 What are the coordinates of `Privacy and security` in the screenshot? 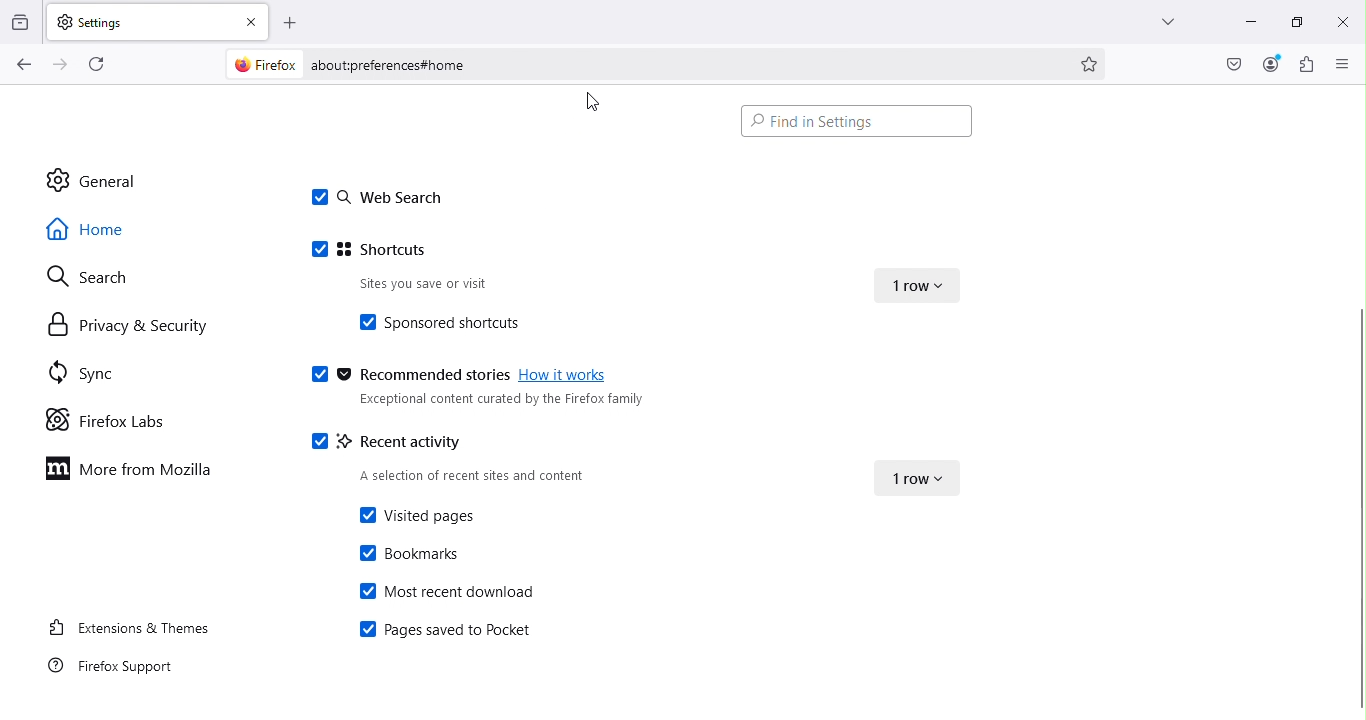 It's located at (127, 329).